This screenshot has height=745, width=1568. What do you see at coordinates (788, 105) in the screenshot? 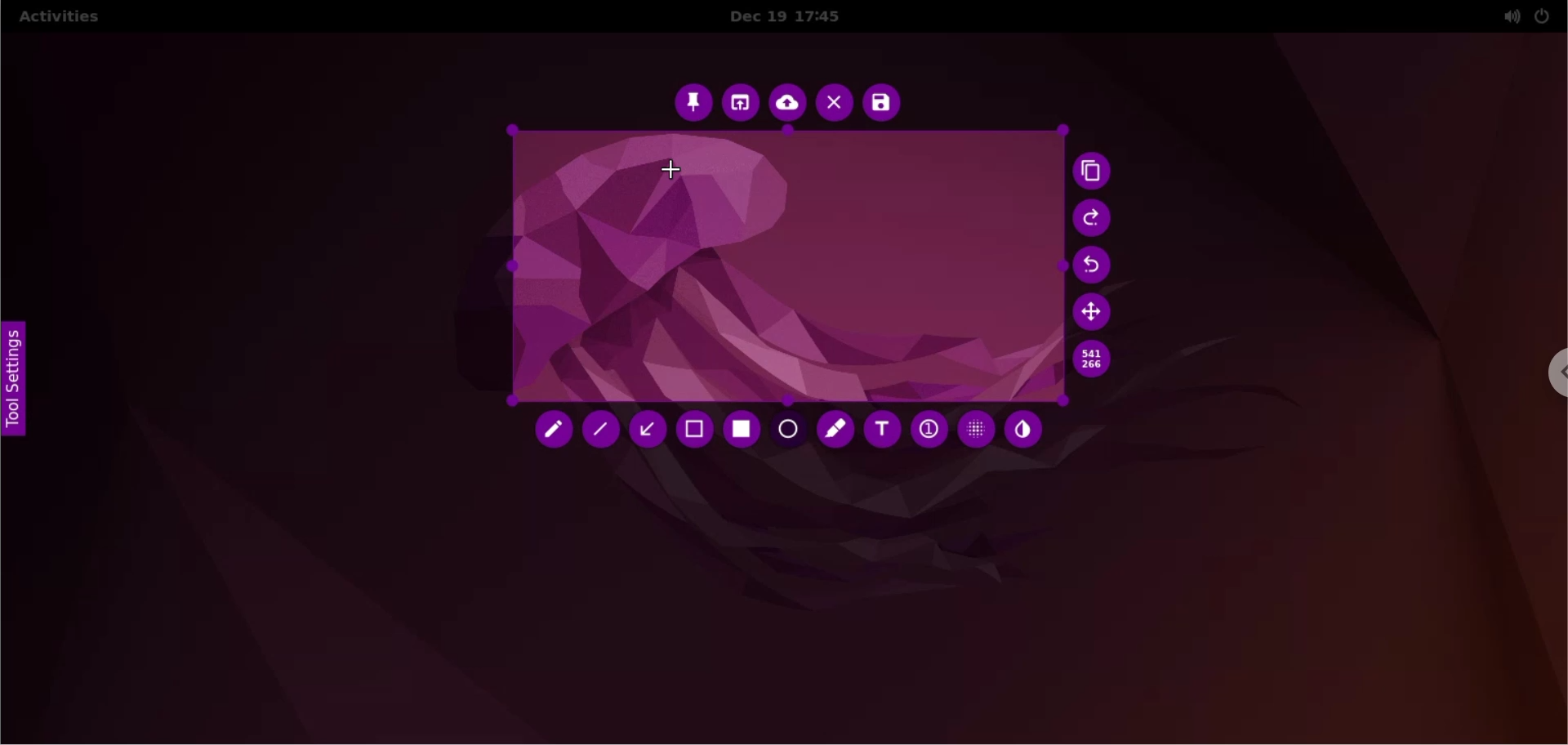
I see `upload ` at bounding box center [788, 105].